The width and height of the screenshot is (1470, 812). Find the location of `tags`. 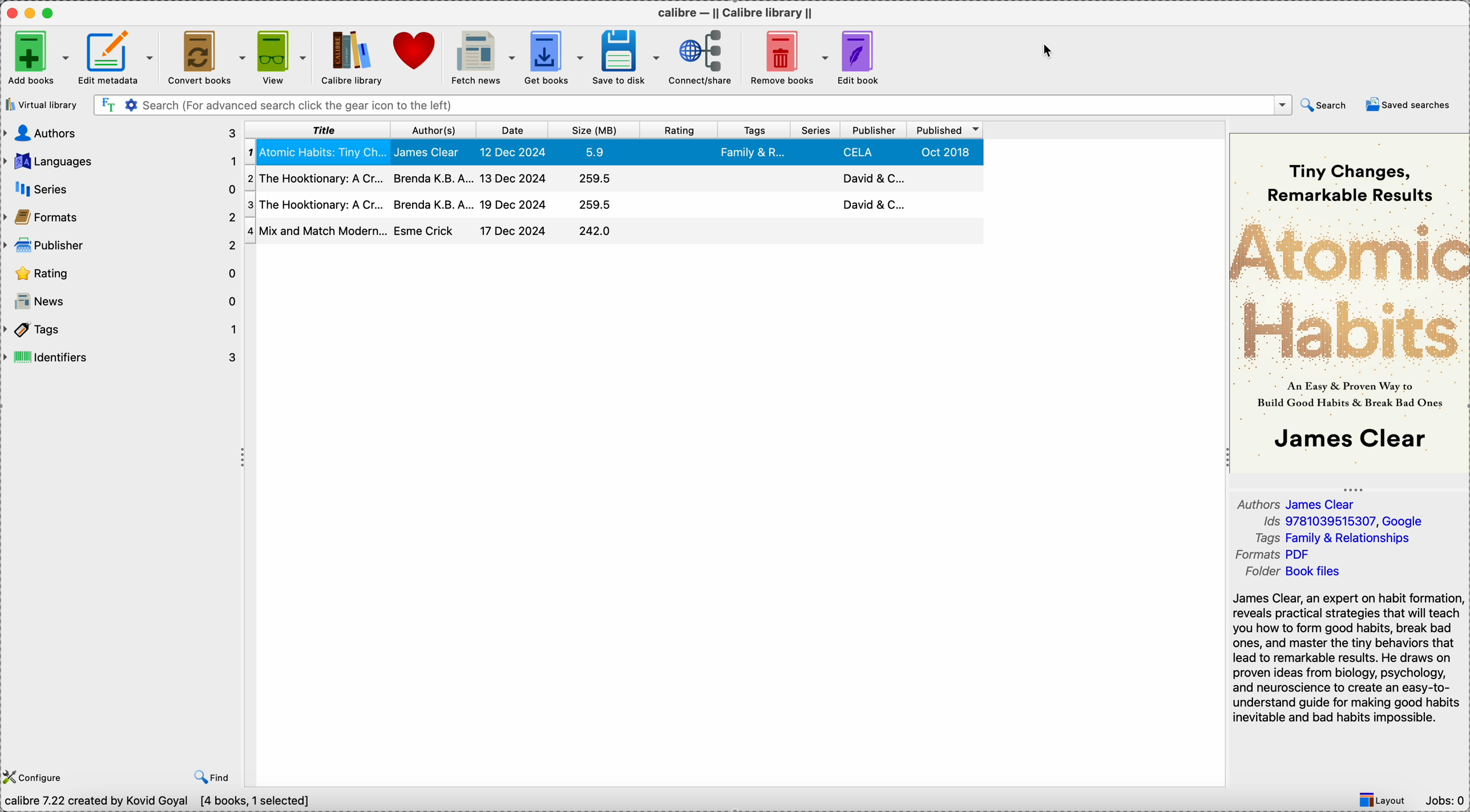

tags is located at coordinates (122, 329).